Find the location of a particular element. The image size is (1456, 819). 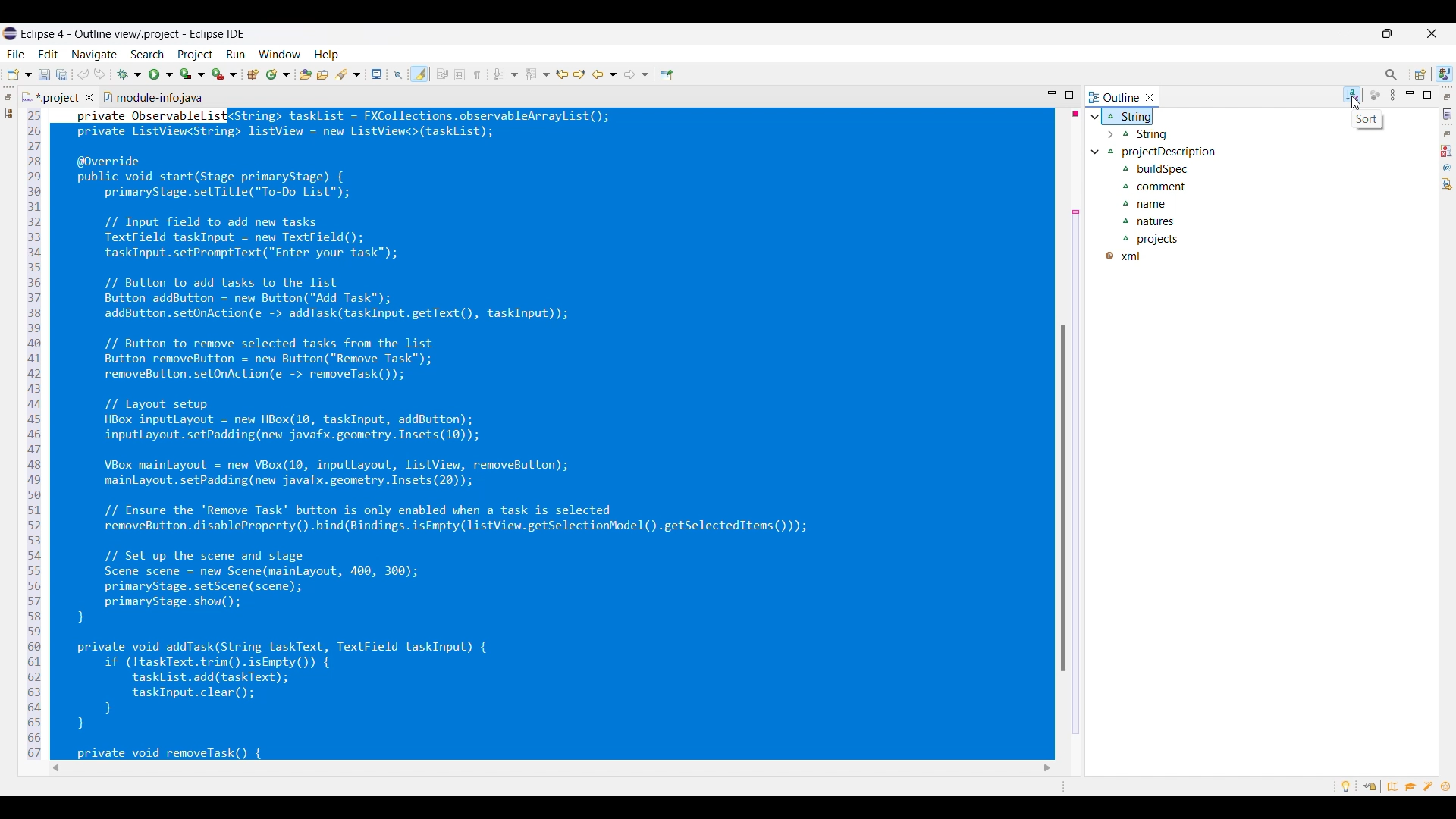

Show whitespace characters is located at coordinates (477, 75).